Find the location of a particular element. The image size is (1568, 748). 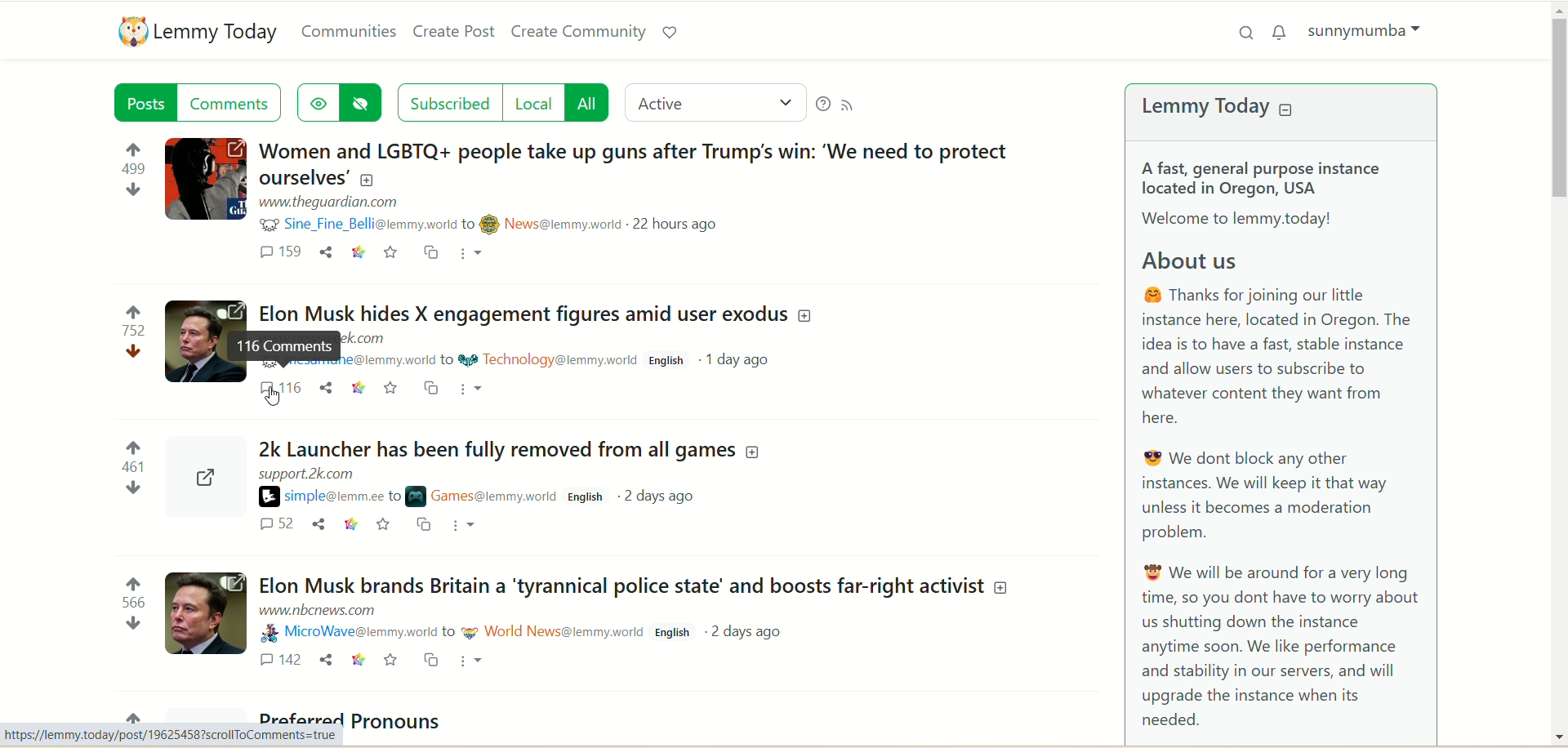

create community is located at coordinates (580, 33).